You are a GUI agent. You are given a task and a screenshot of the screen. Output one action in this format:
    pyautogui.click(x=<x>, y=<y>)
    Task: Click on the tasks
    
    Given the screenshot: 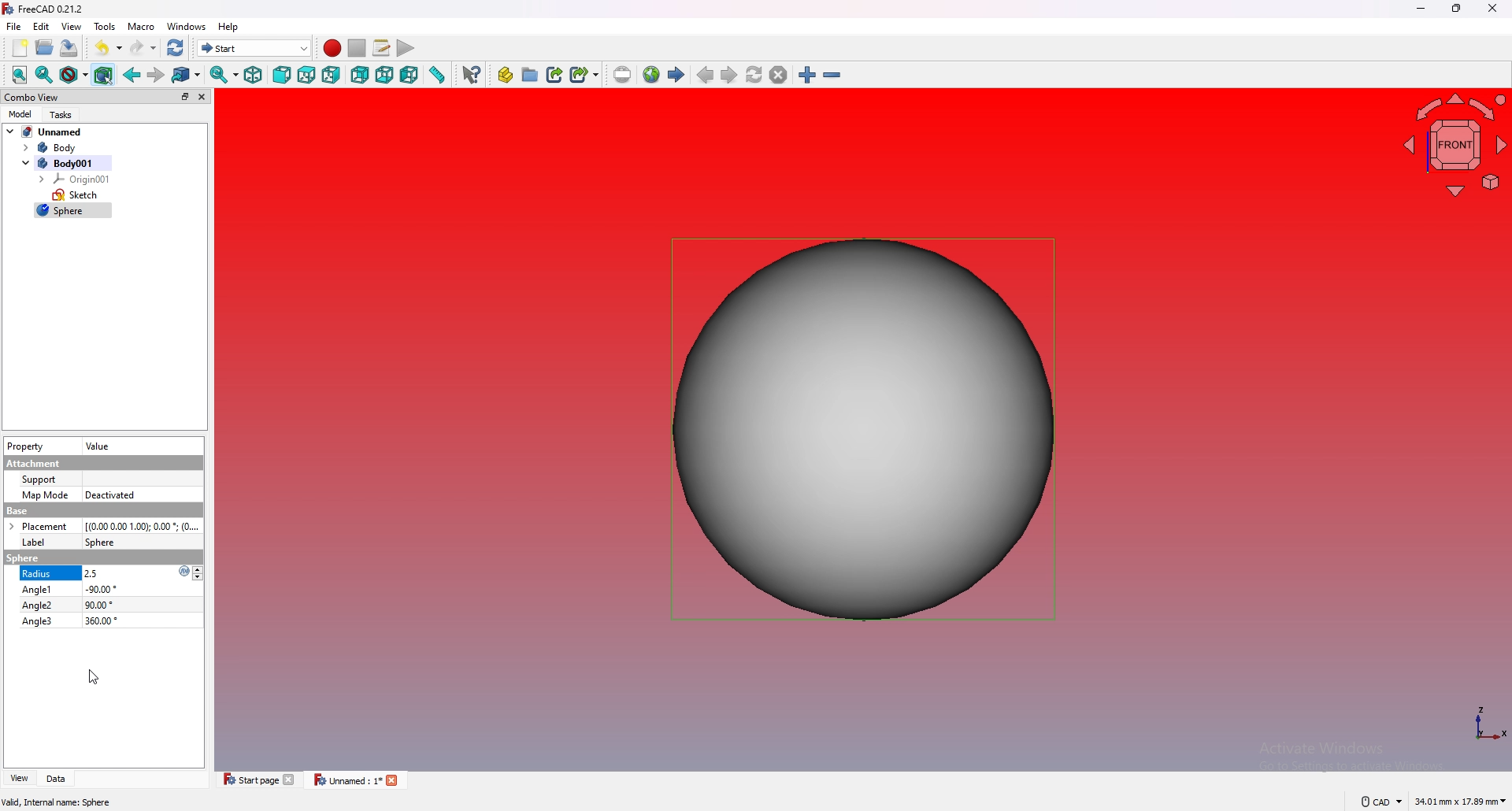 What is the action you would take?
    pyautogui.click(x=63, y=114)
    